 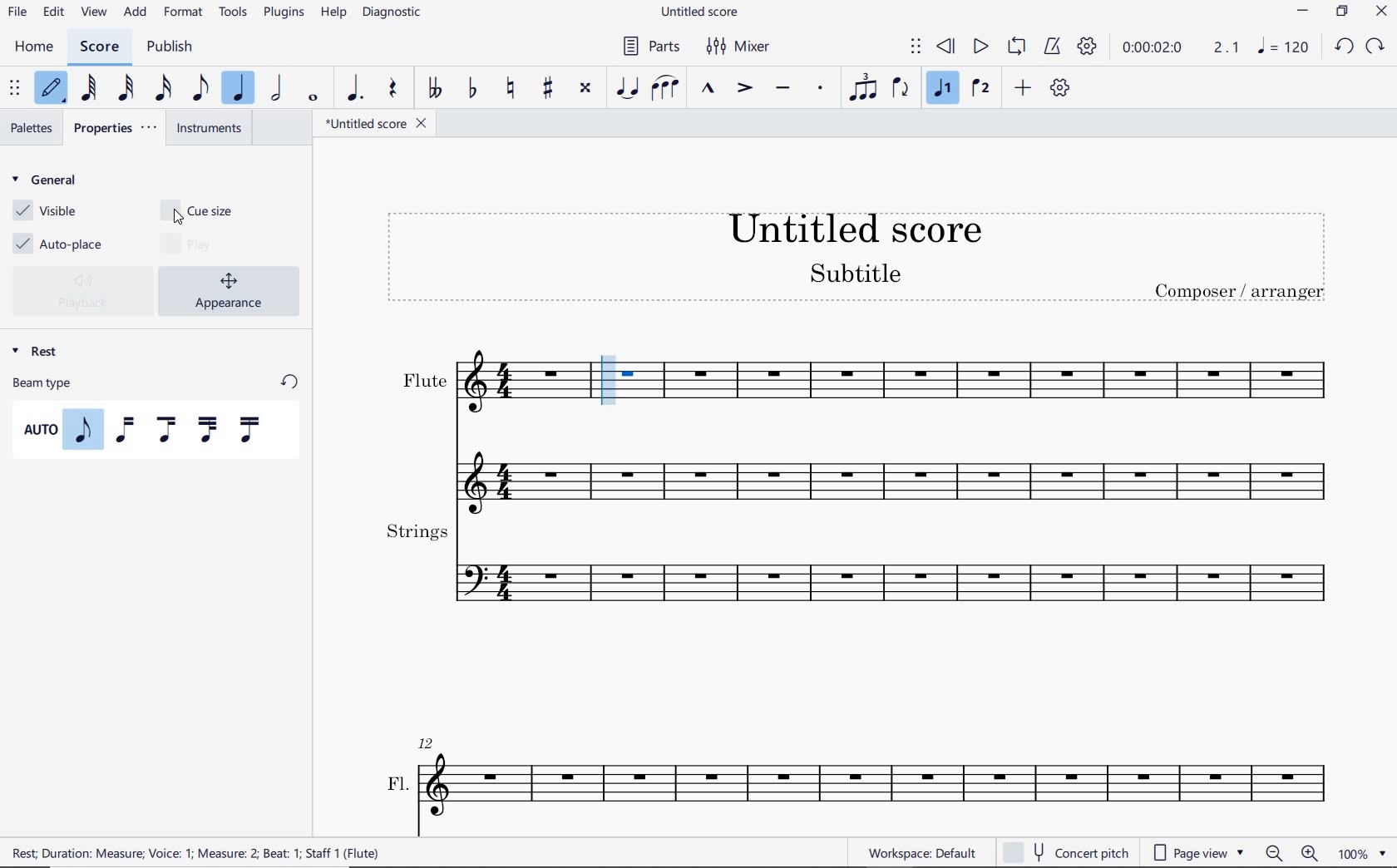 What do you see at coordinates (1060, 88) in the screenshot?
I see `CUSTOMIZE TOOLBAR` at bounding box center [1060, 88].